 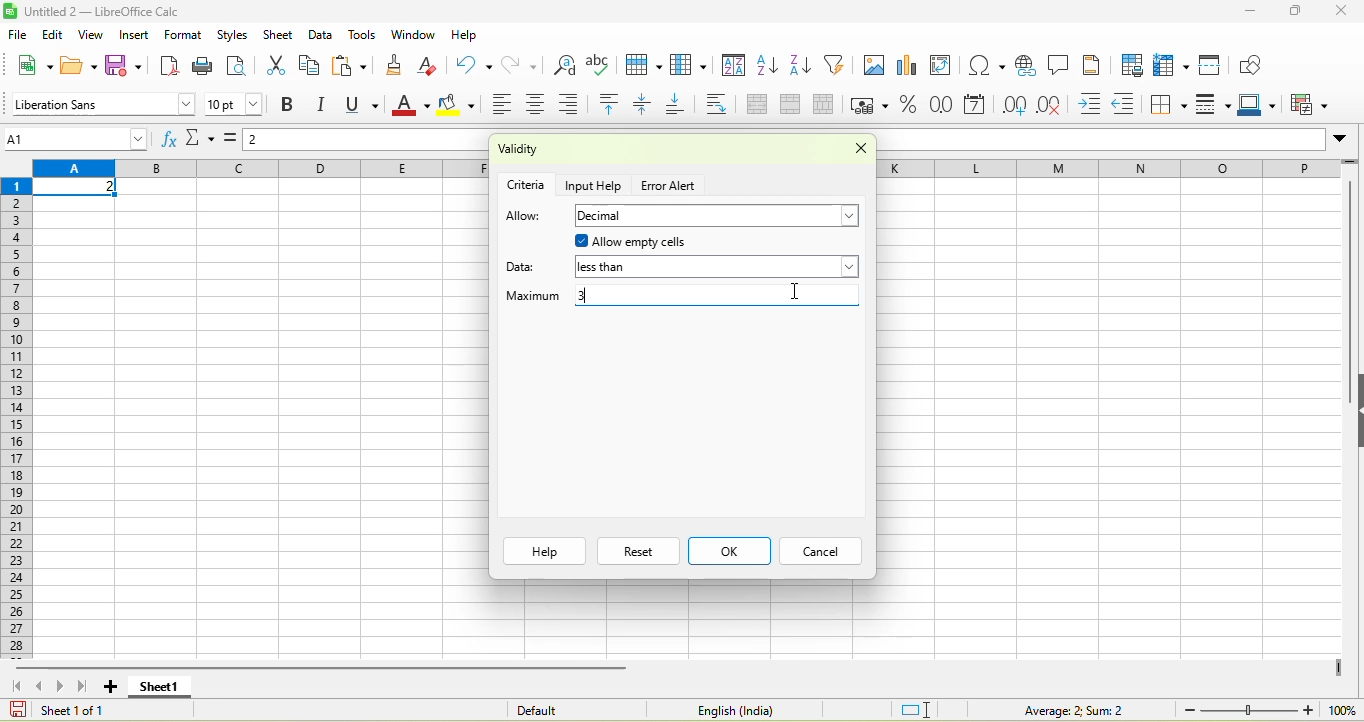 I want to click on cancel, so click(x=818, y=552).